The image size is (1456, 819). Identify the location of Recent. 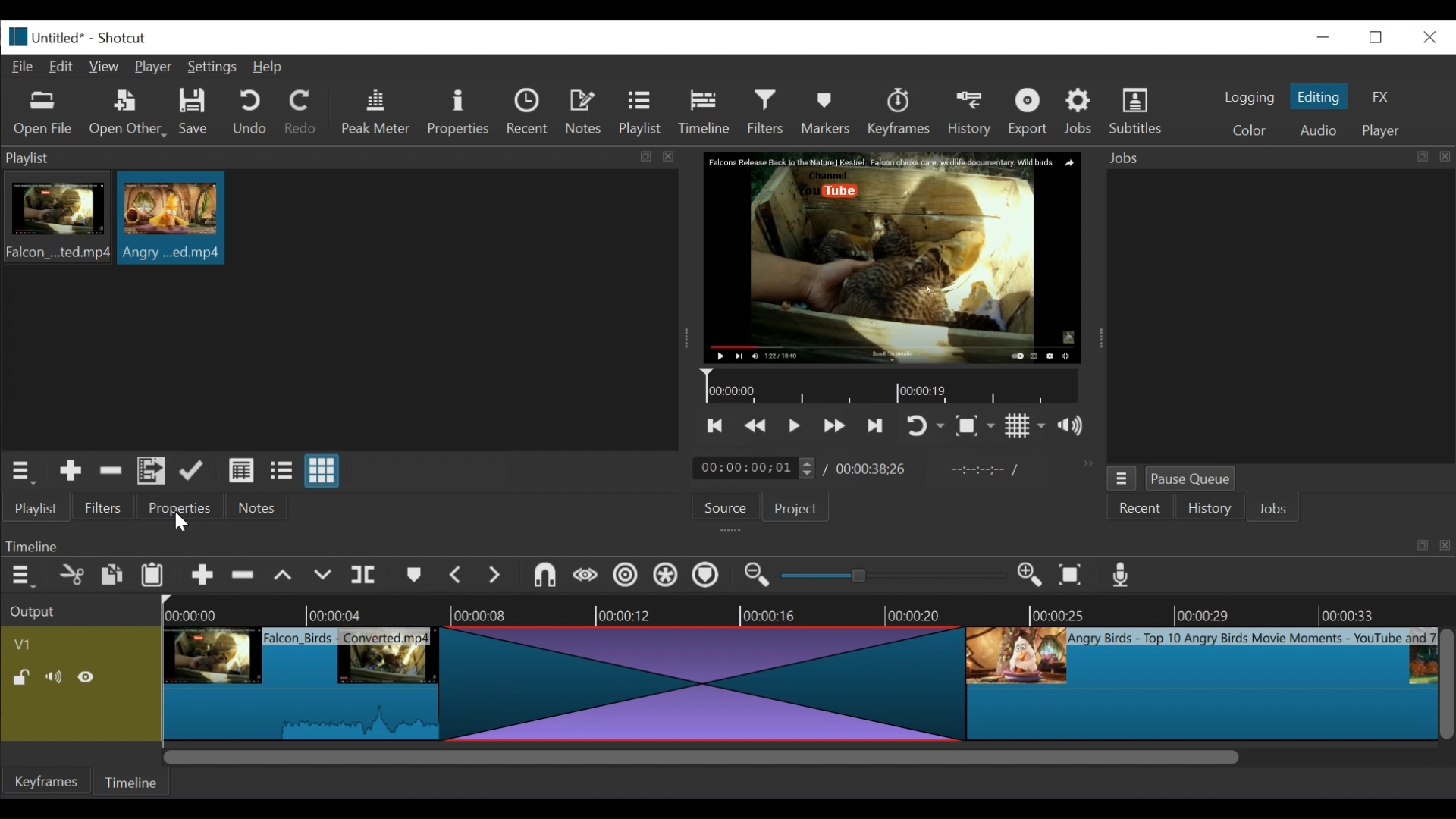
(531, 114).